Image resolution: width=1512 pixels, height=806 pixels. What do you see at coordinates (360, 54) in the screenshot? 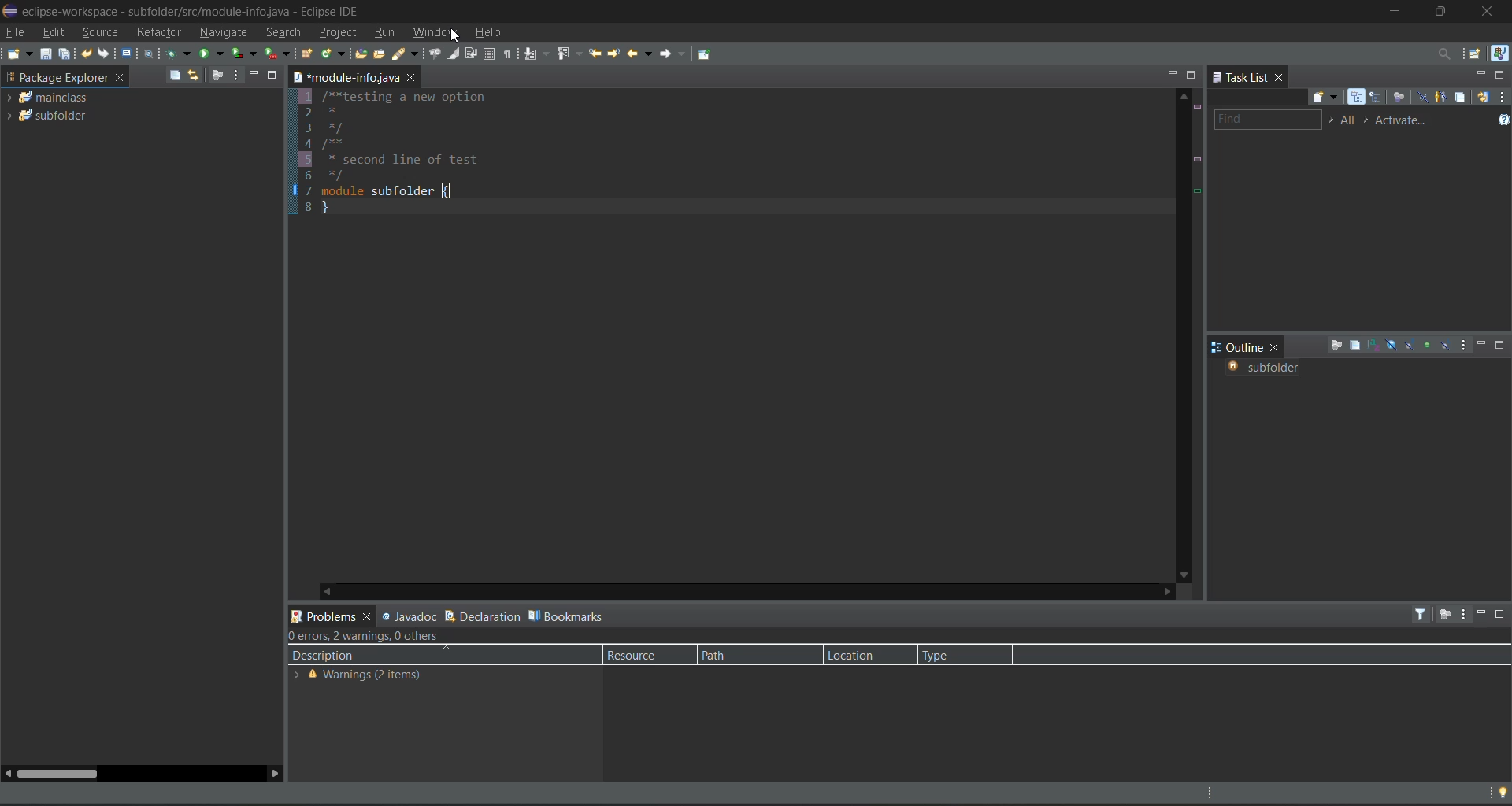
I see `open type` at bounding box center [360, 54].